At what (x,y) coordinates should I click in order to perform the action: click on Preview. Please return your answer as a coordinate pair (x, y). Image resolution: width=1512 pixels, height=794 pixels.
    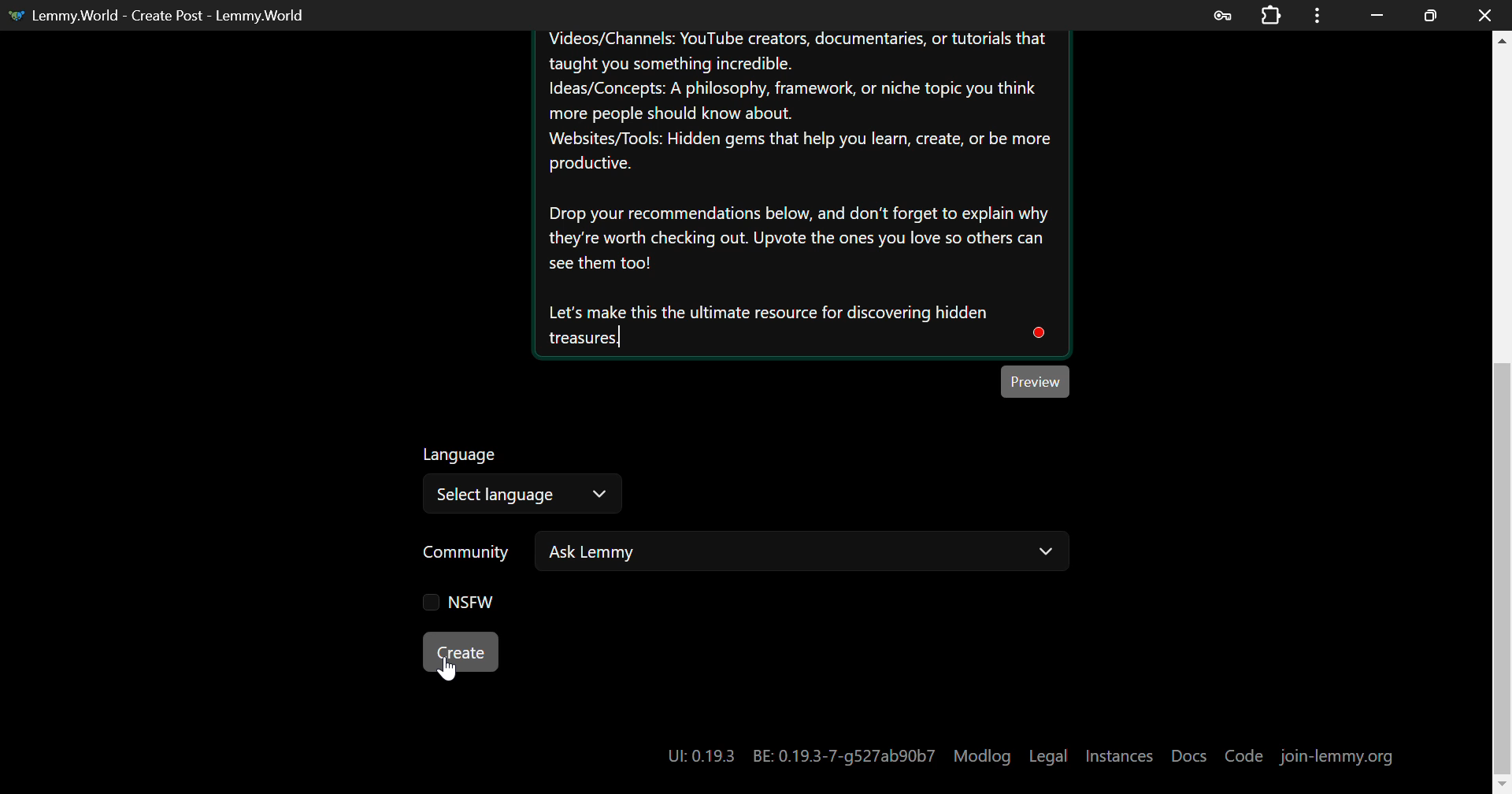
    Looking at the image, I should click on (1038, 380).